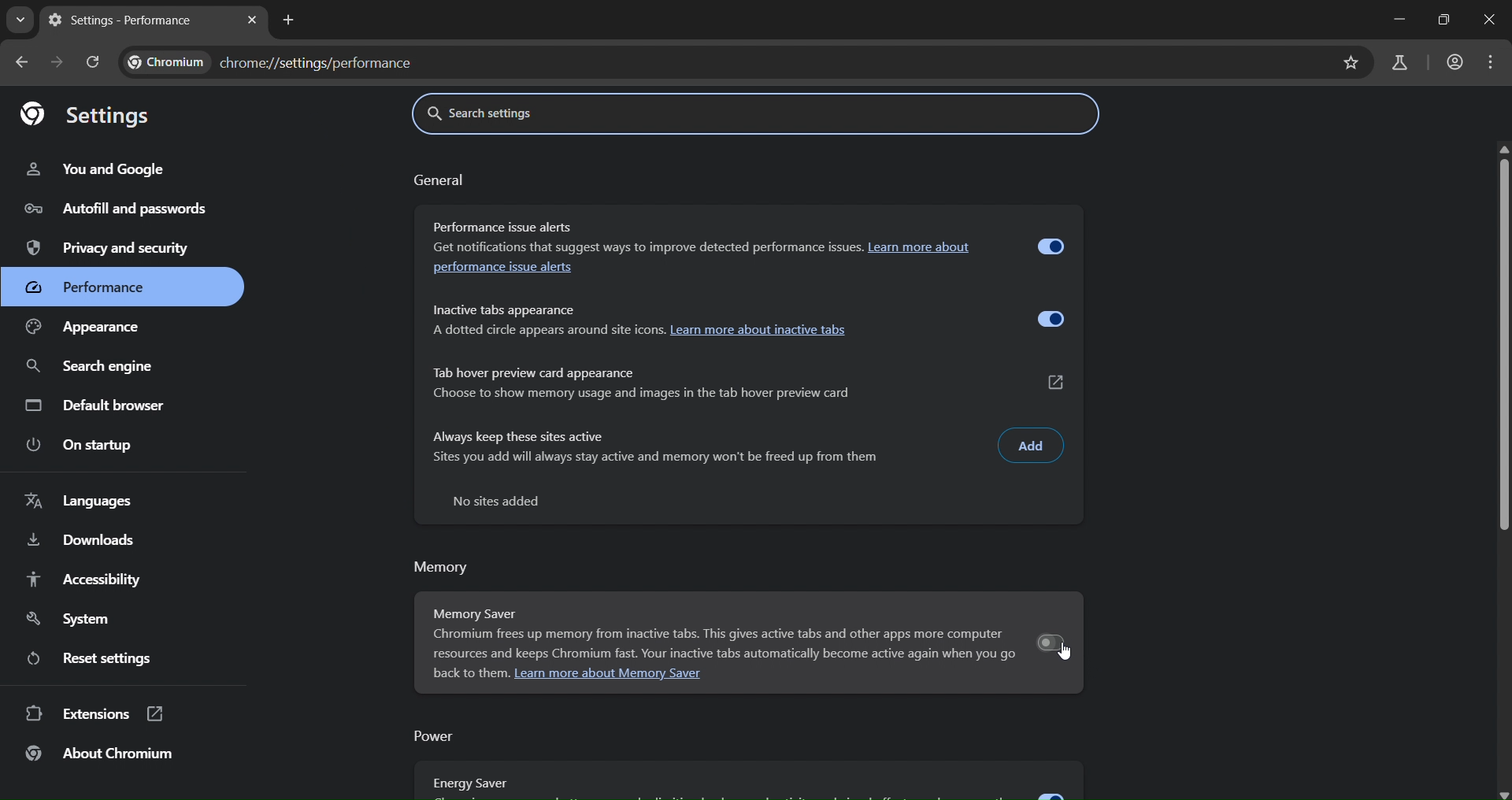 The height and width of the screenshot is (800, 1512). I want to click on customize and control Google chrome, so click(1492, 61).